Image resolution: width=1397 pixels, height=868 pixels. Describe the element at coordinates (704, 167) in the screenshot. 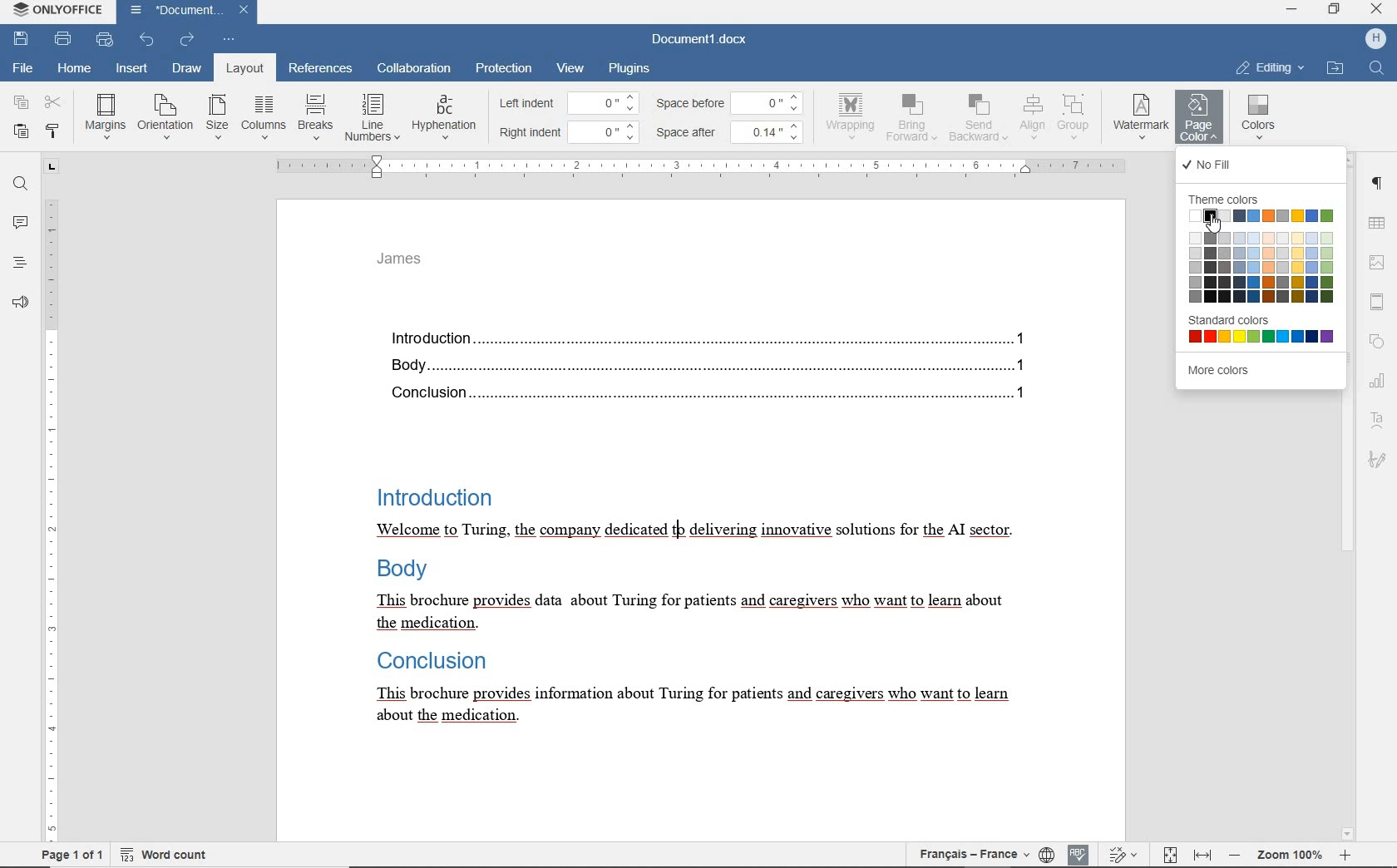

I see `ruler` at that location.